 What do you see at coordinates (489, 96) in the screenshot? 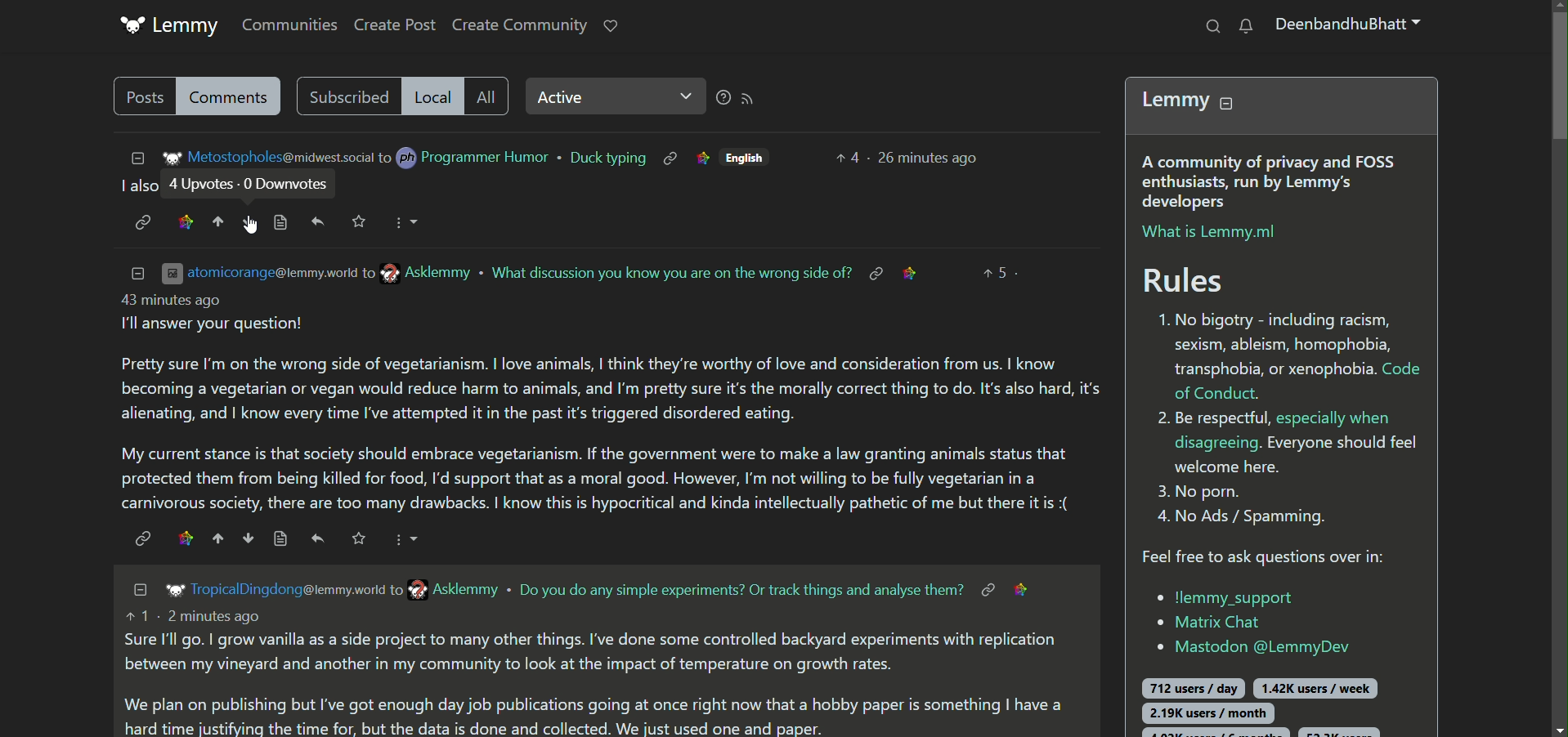
I see `comment type` at bounding box center [489, 96].